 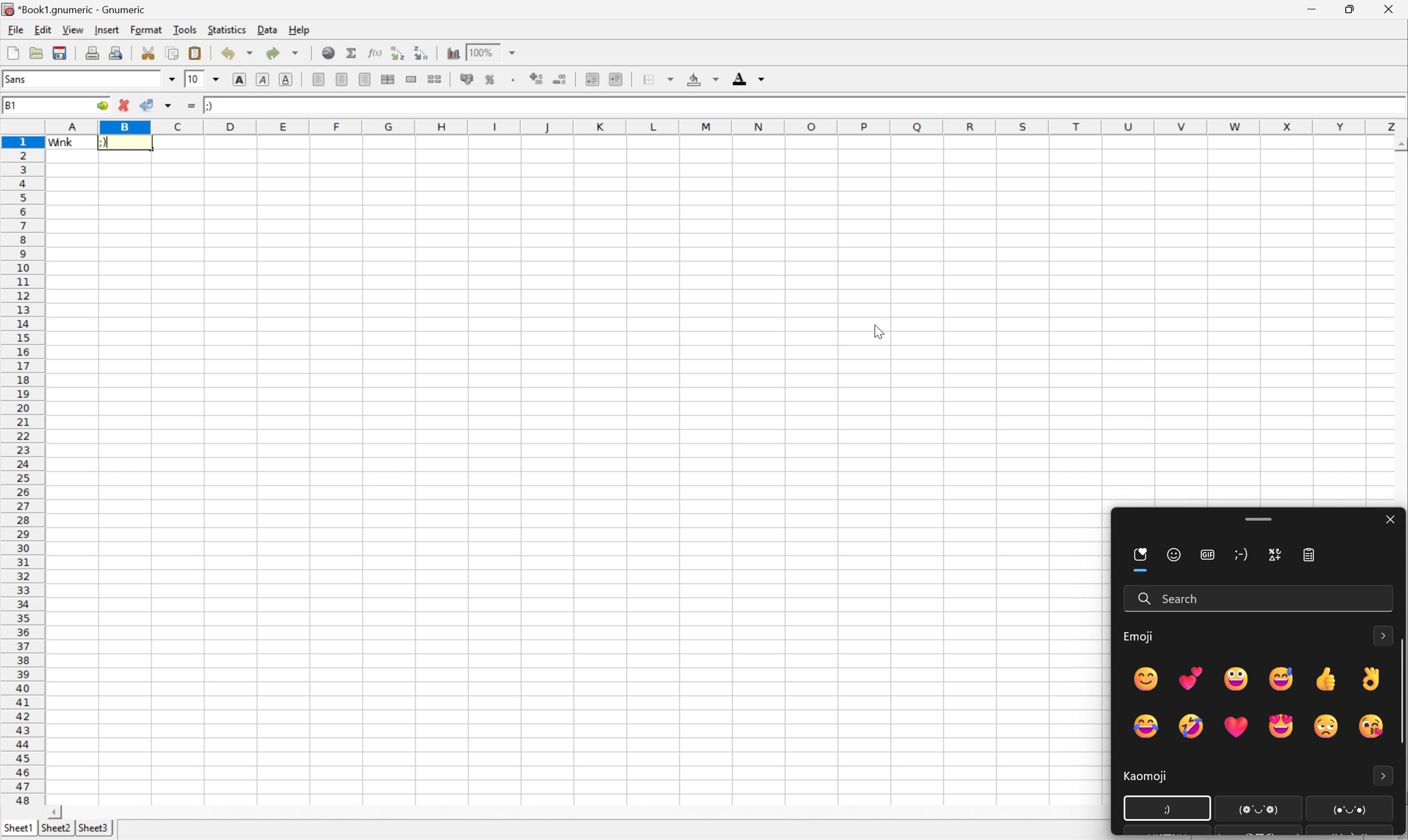 I want to click on print, so click(x=92, y=53).